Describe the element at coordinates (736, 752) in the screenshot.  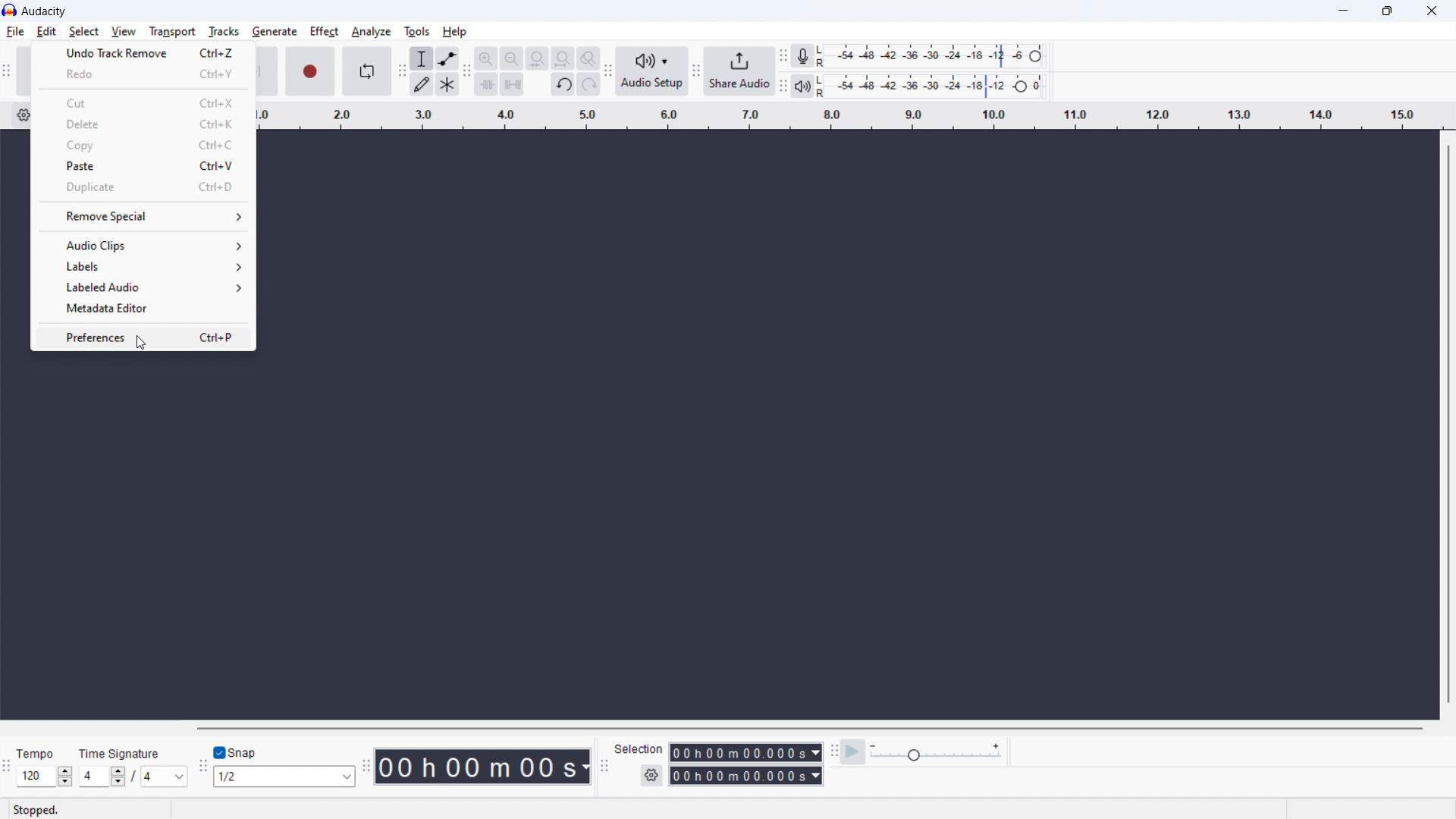
I see `start time duration` at that location.